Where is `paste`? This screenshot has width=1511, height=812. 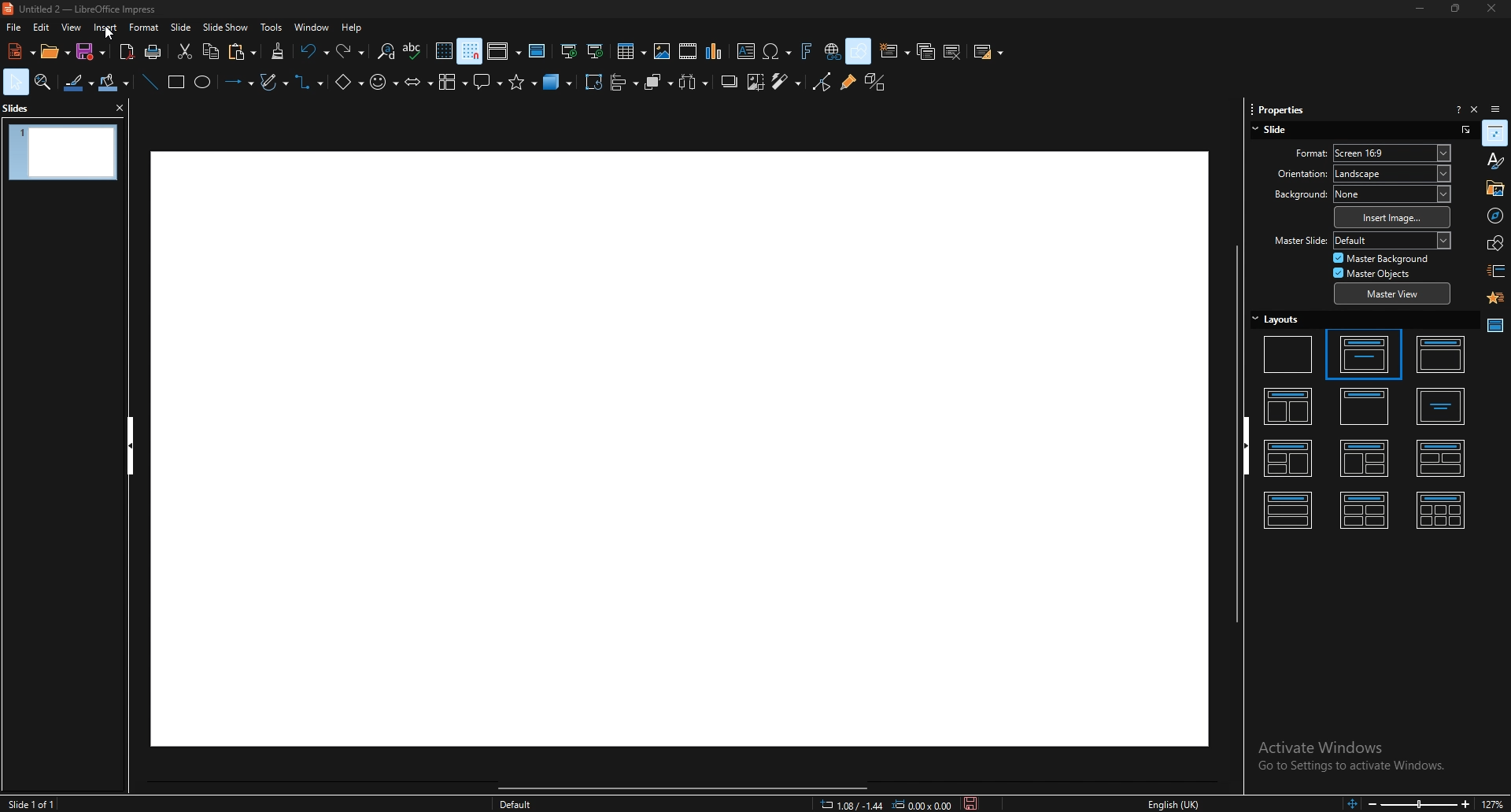 paste is located at coordinates (245, 52).